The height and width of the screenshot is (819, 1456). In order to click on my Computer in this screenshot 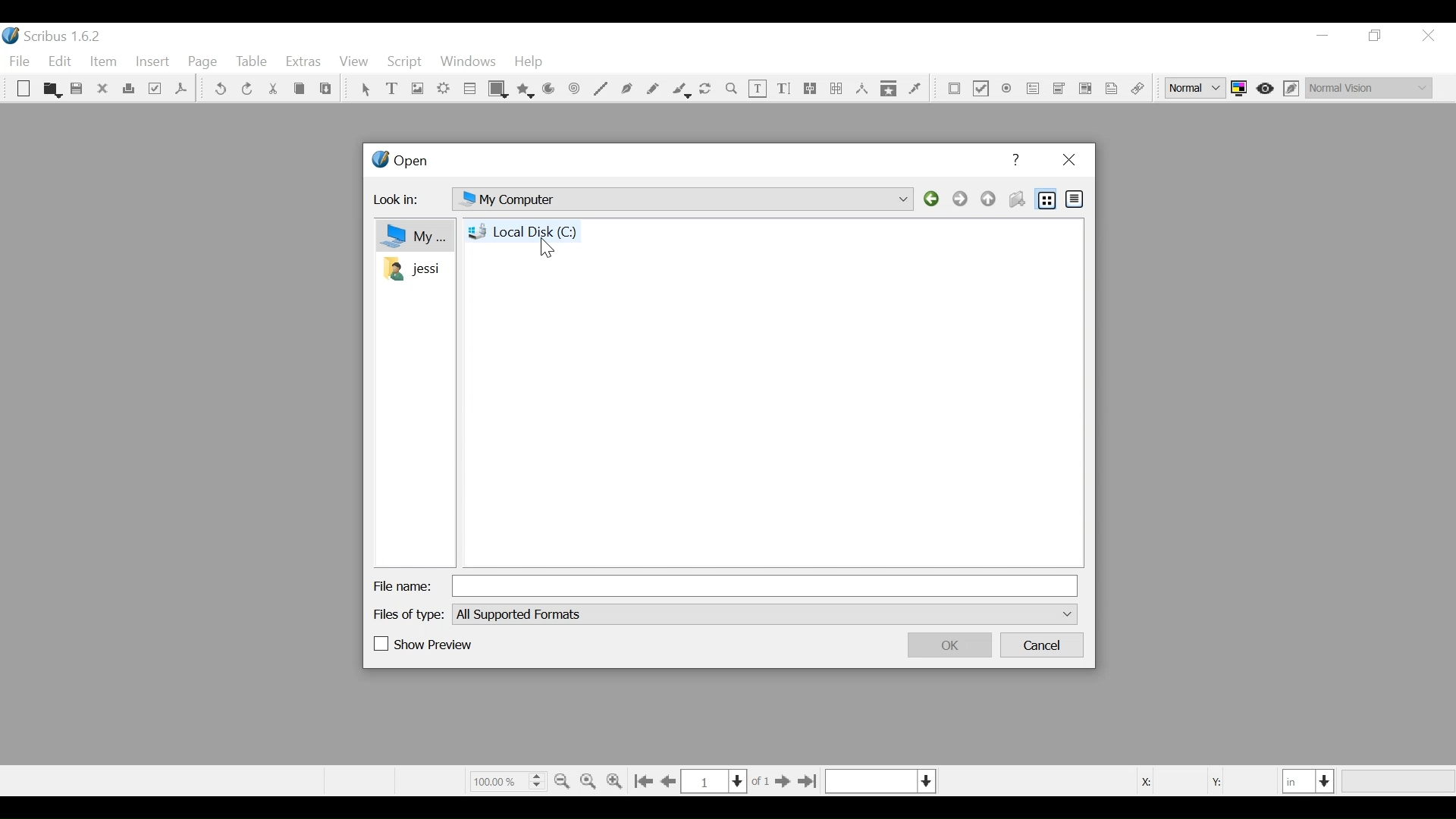, I will do `click(412, 235)`.